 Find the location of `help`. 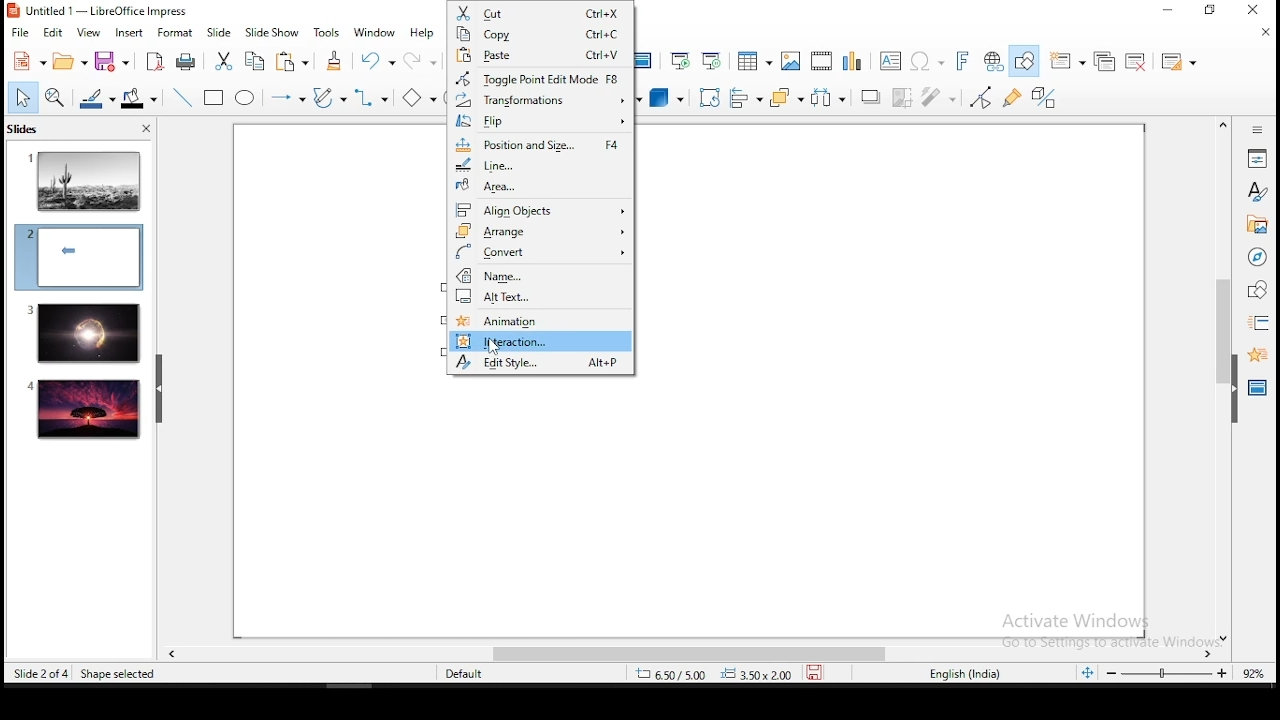

help is located at coordinates (427, 34).